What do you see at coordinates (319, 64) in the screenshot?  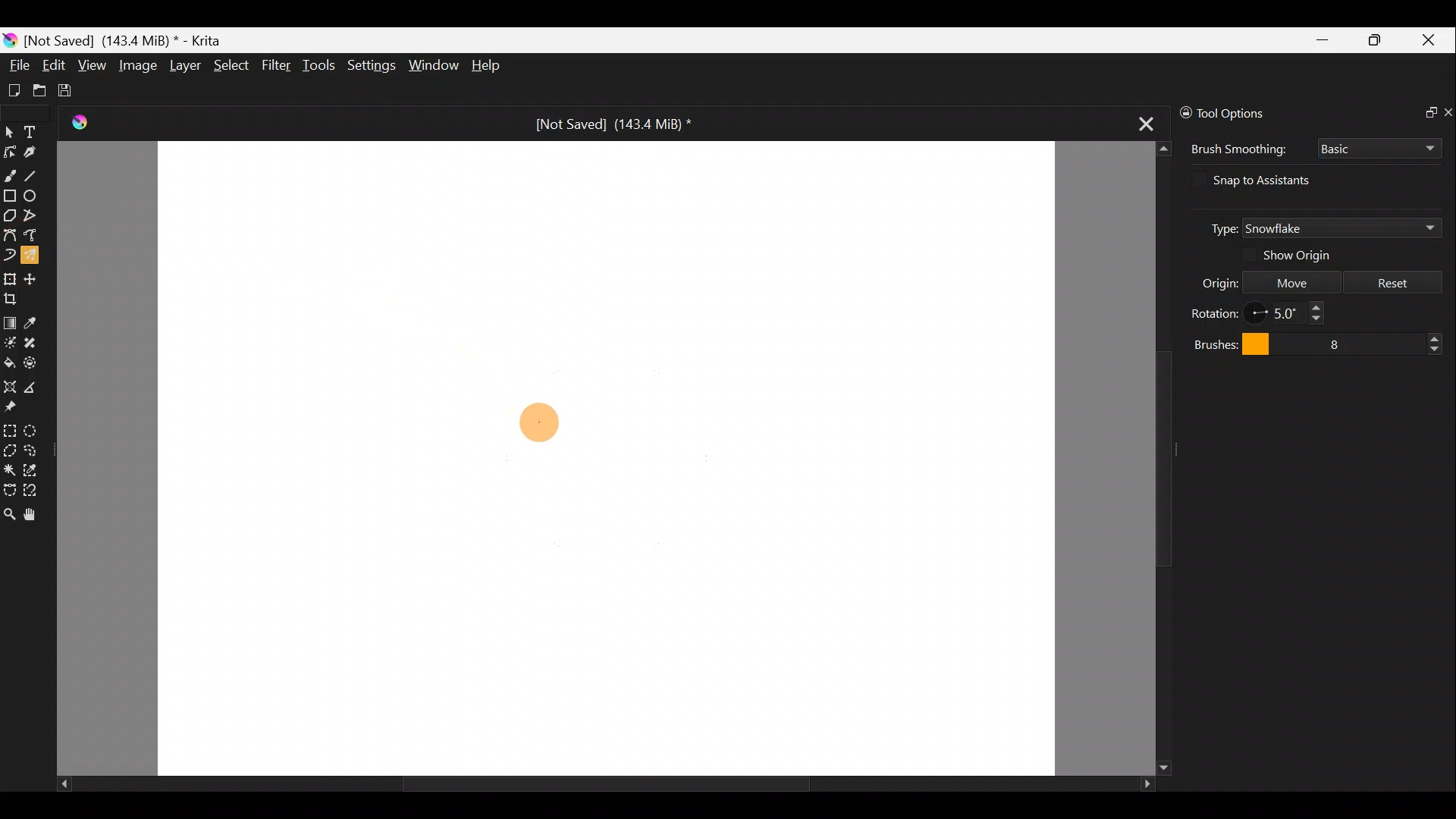 I see `Tools` at bounding box center [319, 64].